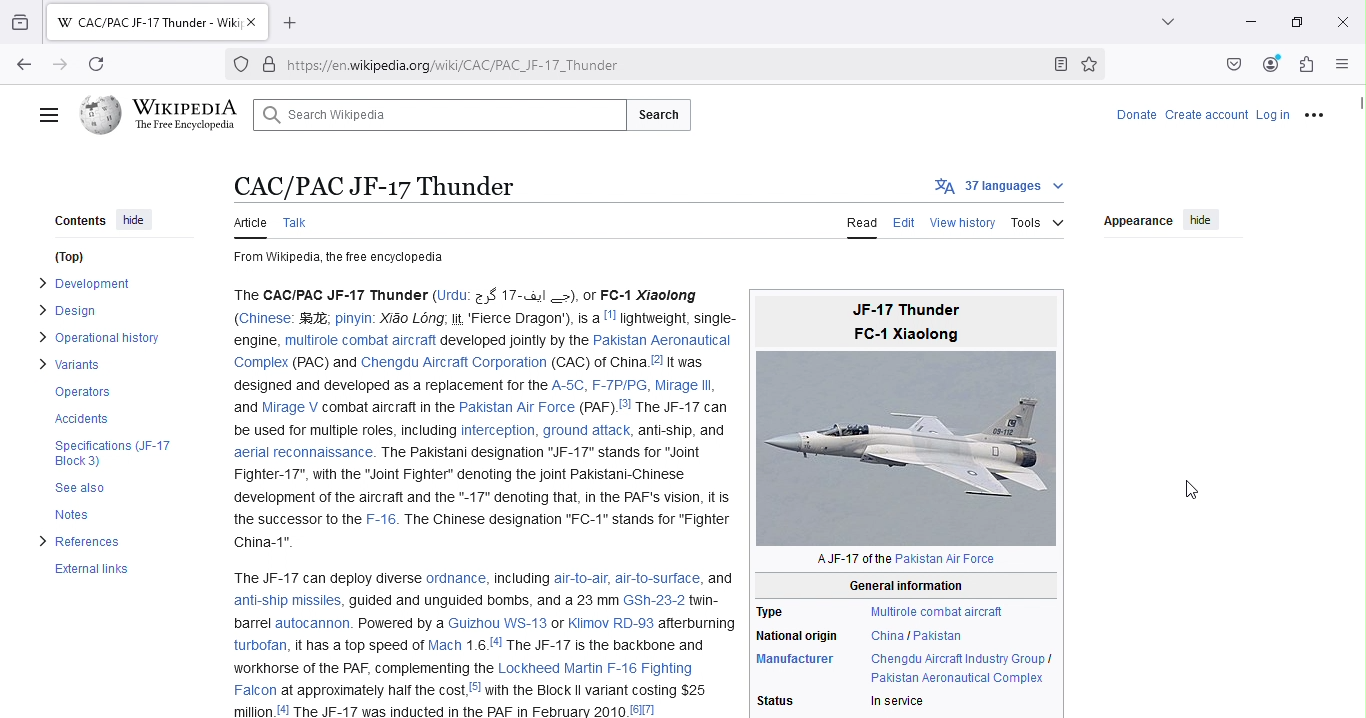 Image resolution: width=1366 pixels, height=718 pixels. What do you see at coordinates (863, 222) in the screenshot?
I see `read` at bounding box center [863, 222].